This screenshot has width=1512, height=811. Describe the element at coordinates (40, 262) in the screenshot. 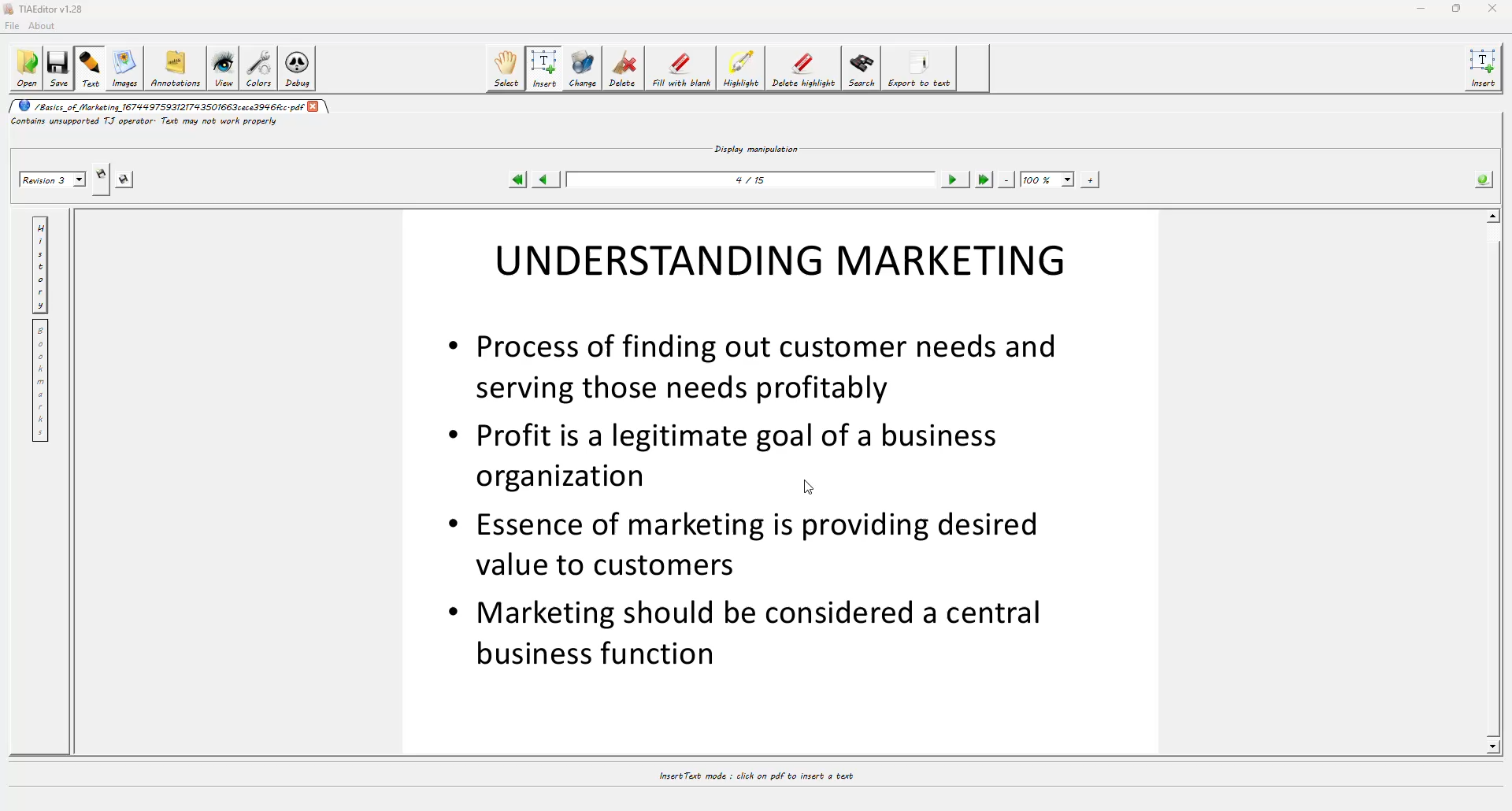

I see `history` at that location.